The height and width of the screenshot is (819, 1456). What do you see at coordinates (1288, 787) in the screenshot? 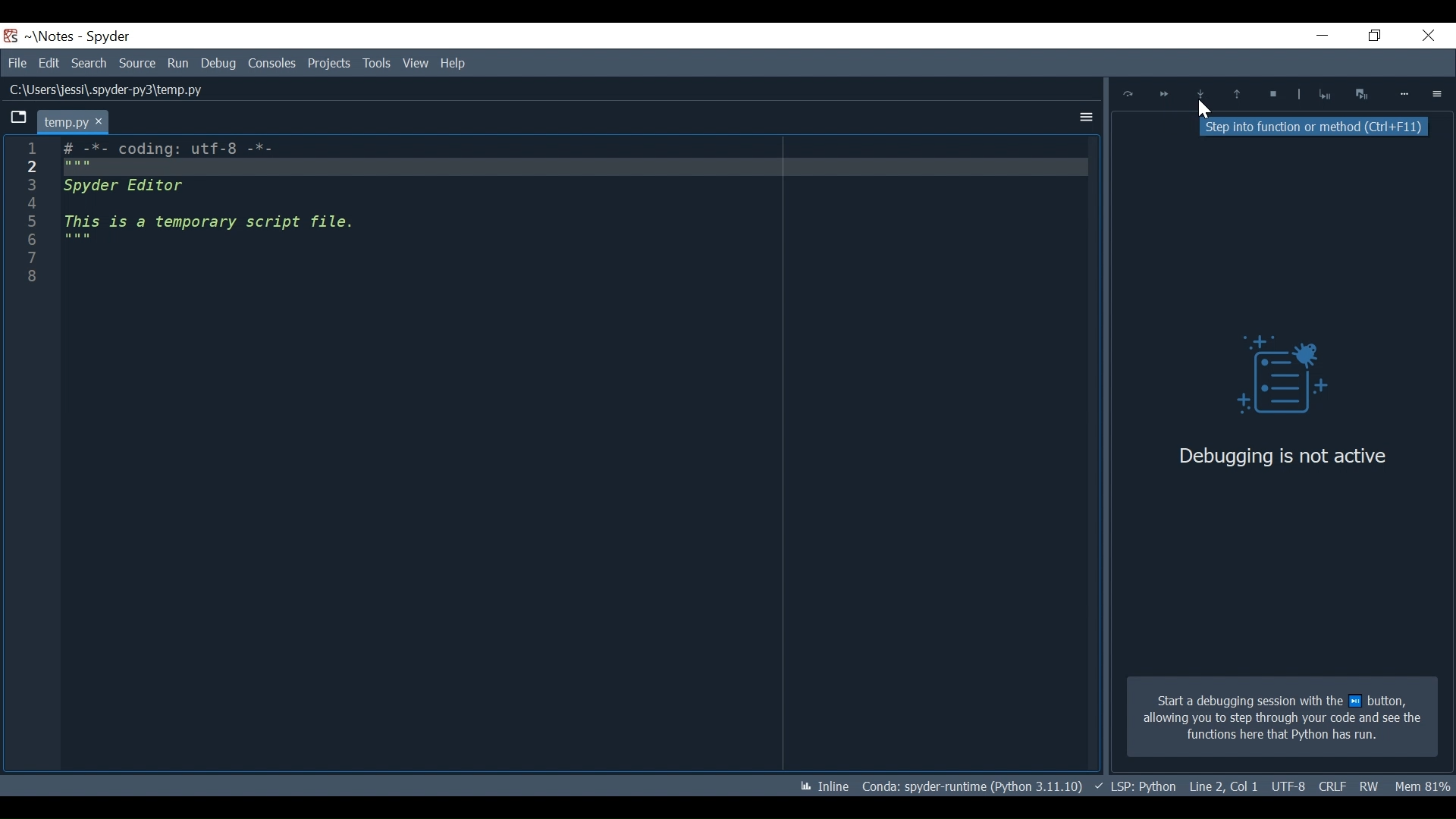
I see `Cursor Position` at bounding box center [1288, 787].